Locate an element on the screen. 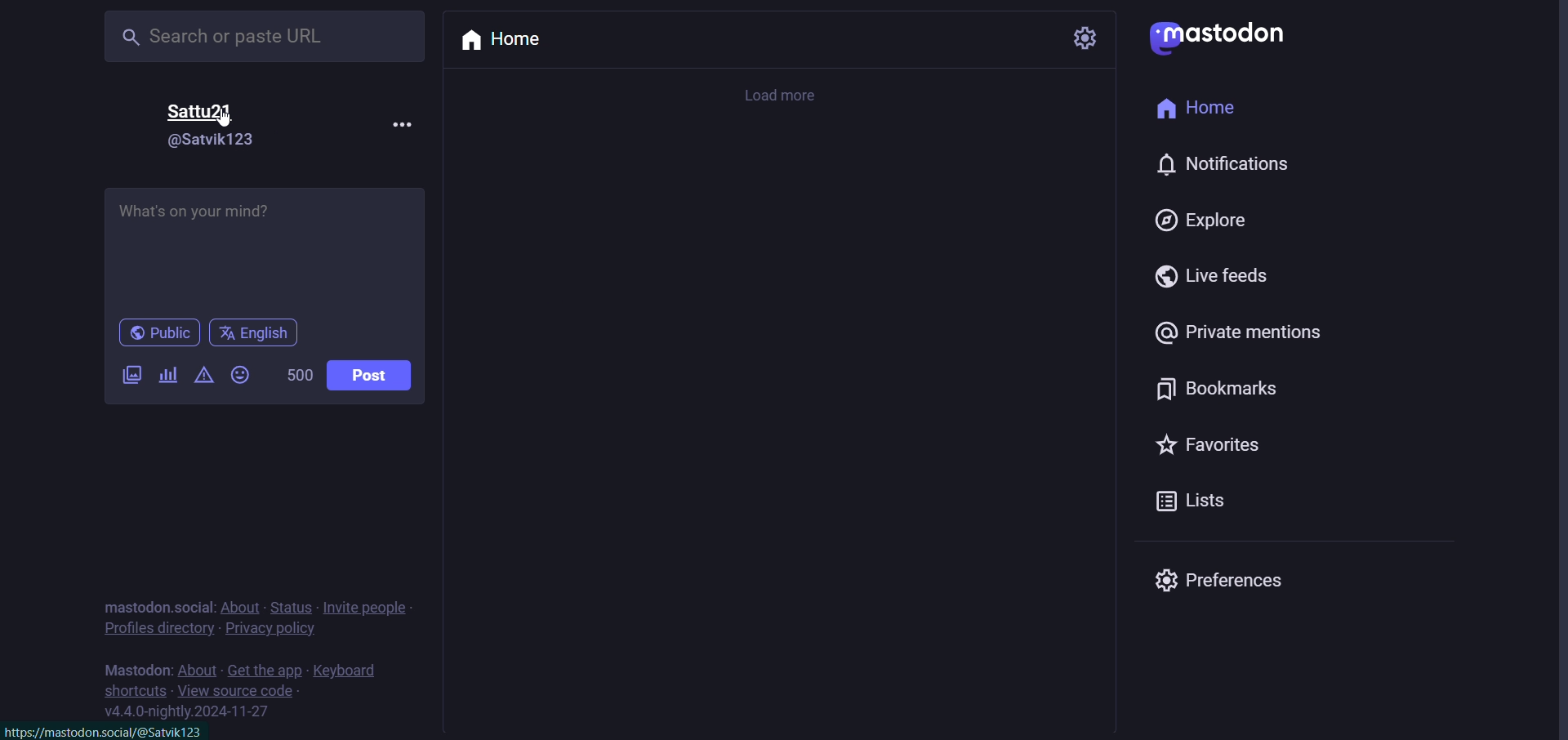  emoji is located at coordinates (240, 377).